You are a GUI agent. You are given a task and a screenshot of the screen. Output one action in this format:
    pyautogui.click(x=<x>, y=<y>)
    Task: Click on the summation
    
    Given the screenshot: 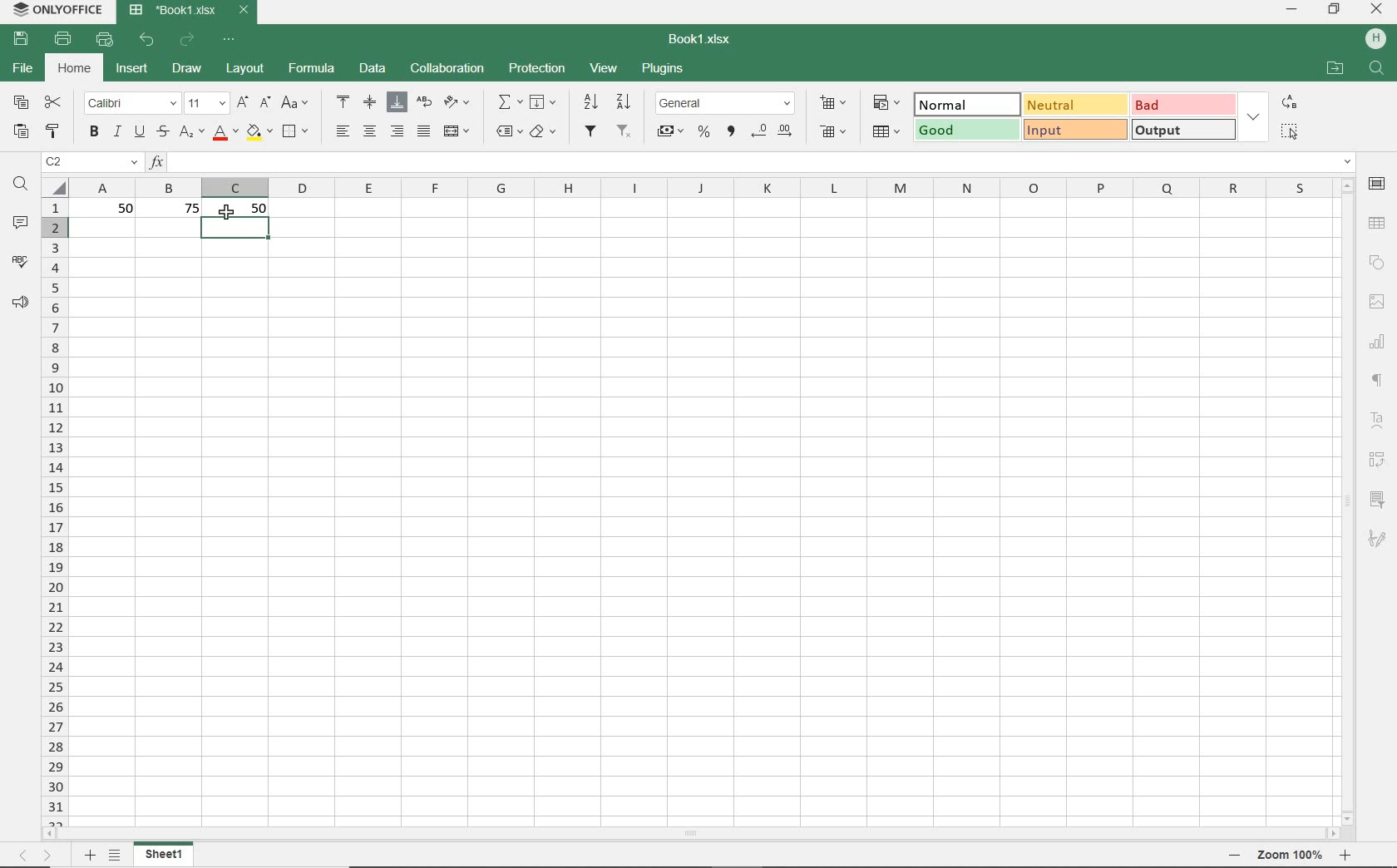 What is the action you would take?
    pyautogui.click(x=510, y=103)
    